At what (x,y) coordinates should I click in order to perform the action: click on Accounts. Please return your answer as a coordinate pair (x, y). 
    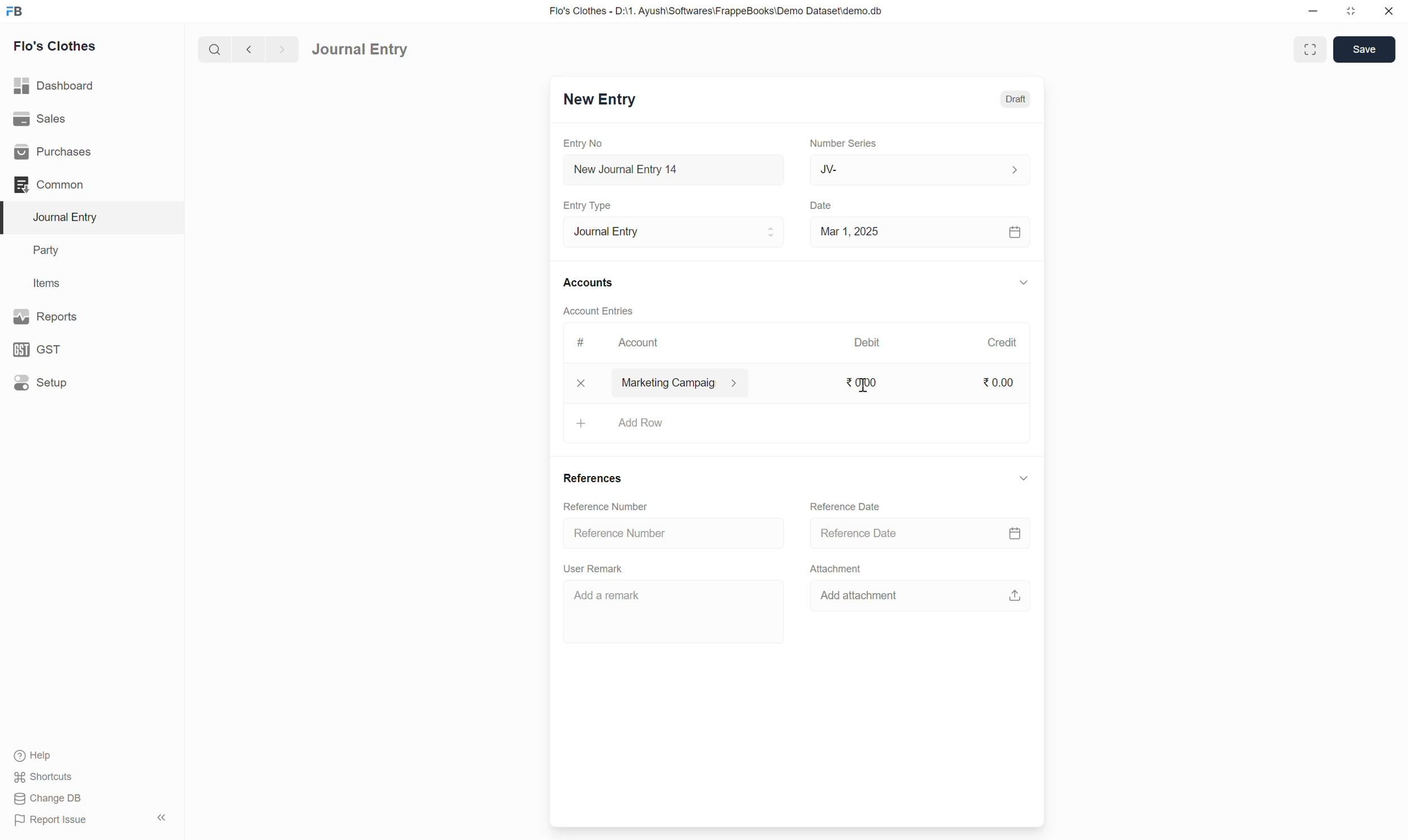
    Looking at the image, I should click on (590, 281).